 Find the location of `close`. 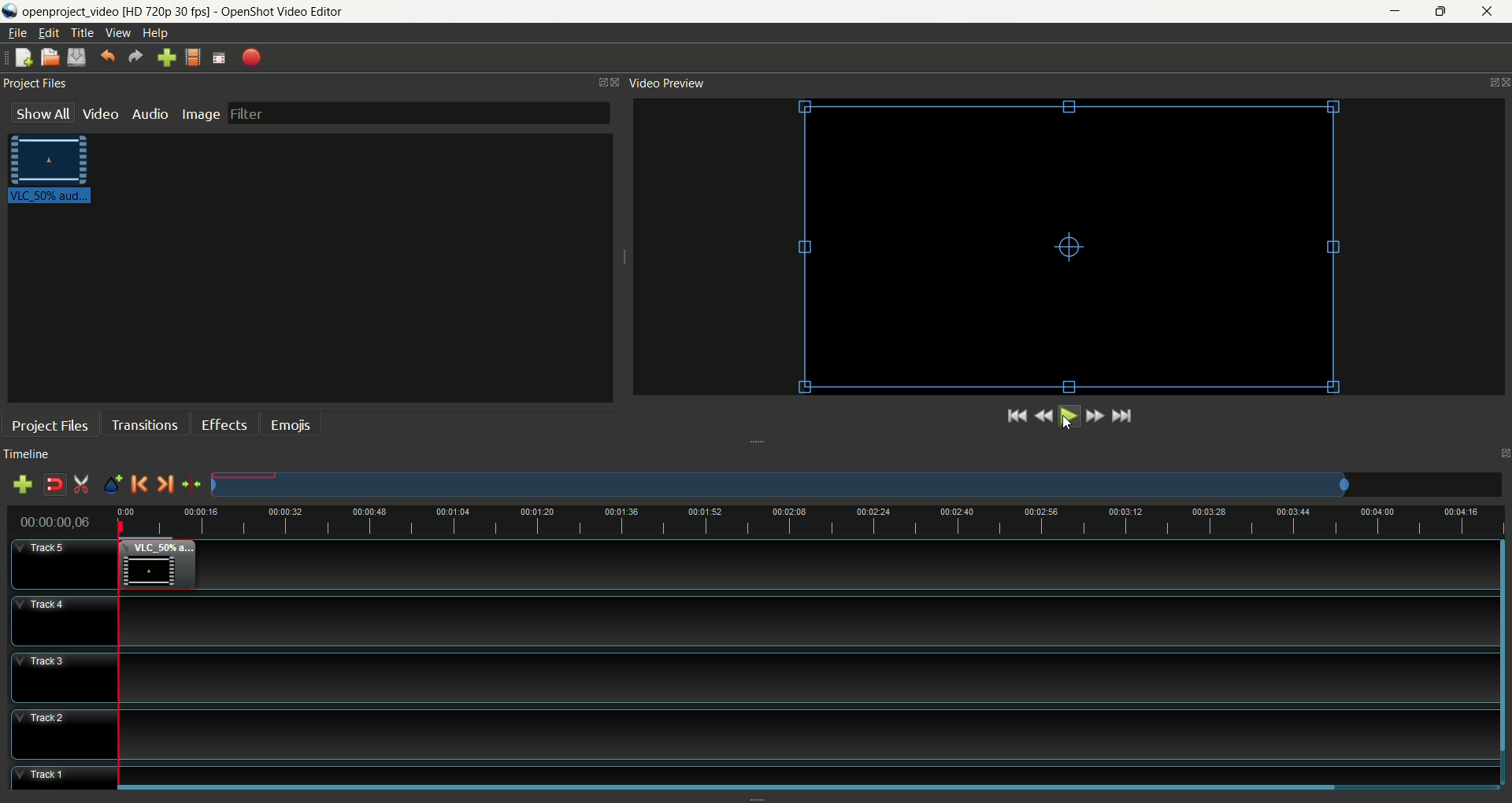

close is located at coordinates (1491, 13).